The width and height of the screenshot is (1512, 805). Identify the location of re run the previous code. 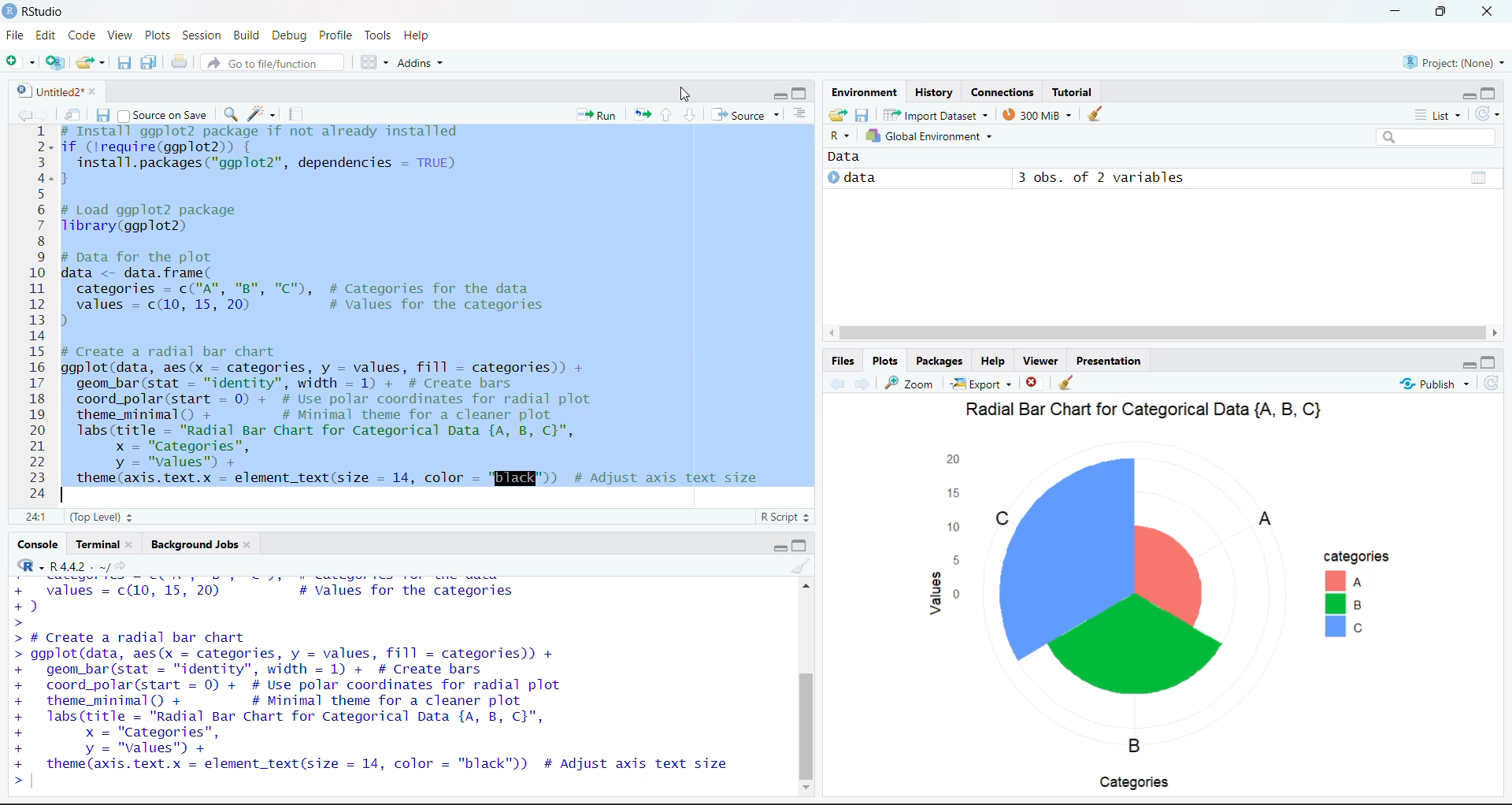
(641, 114).